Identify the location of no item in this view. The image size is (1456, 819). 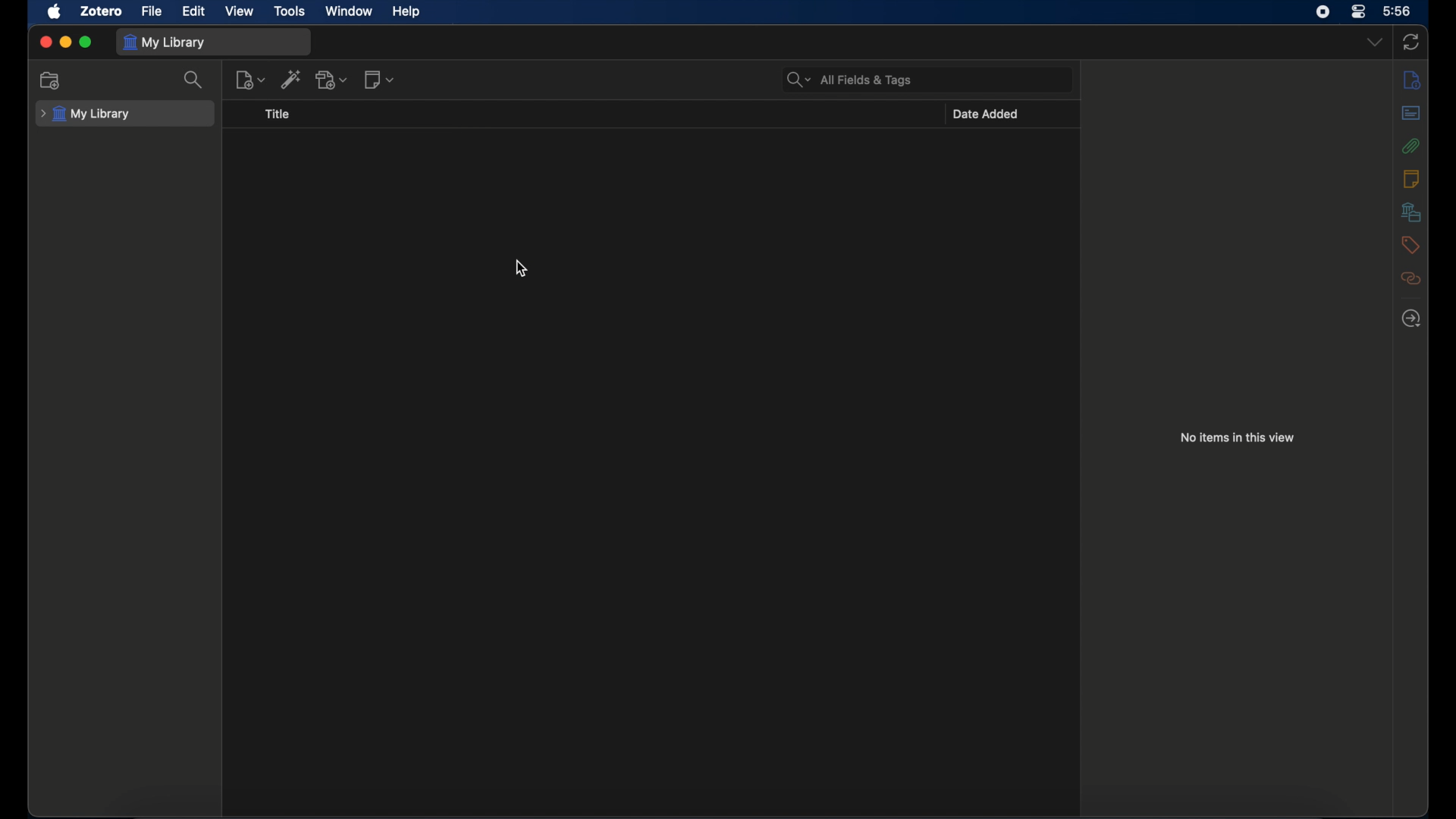
(1237, 437).